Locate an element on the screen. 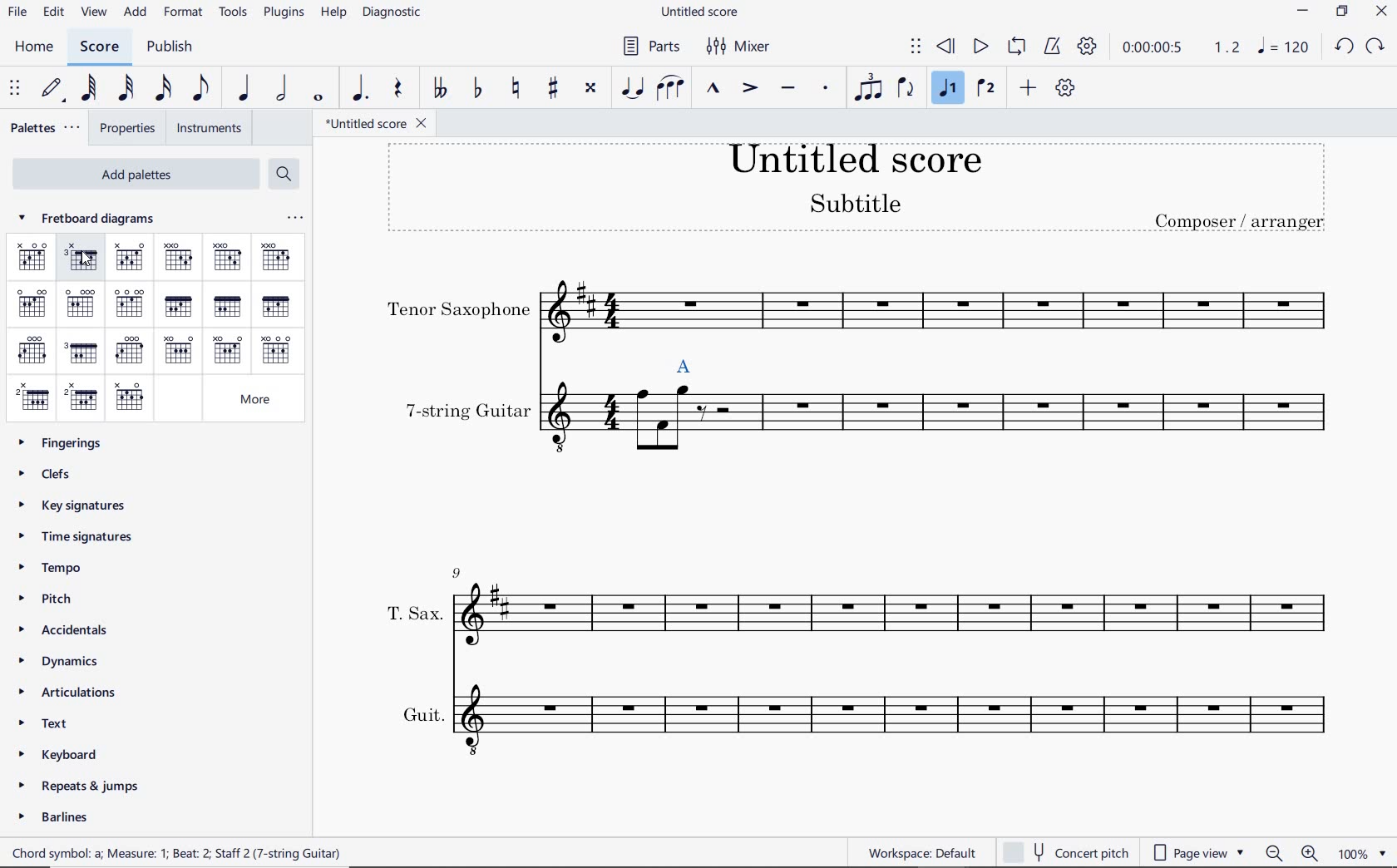 The width and height of the screenshot is (1397, 868). CM is located at coordinates (81, 260).